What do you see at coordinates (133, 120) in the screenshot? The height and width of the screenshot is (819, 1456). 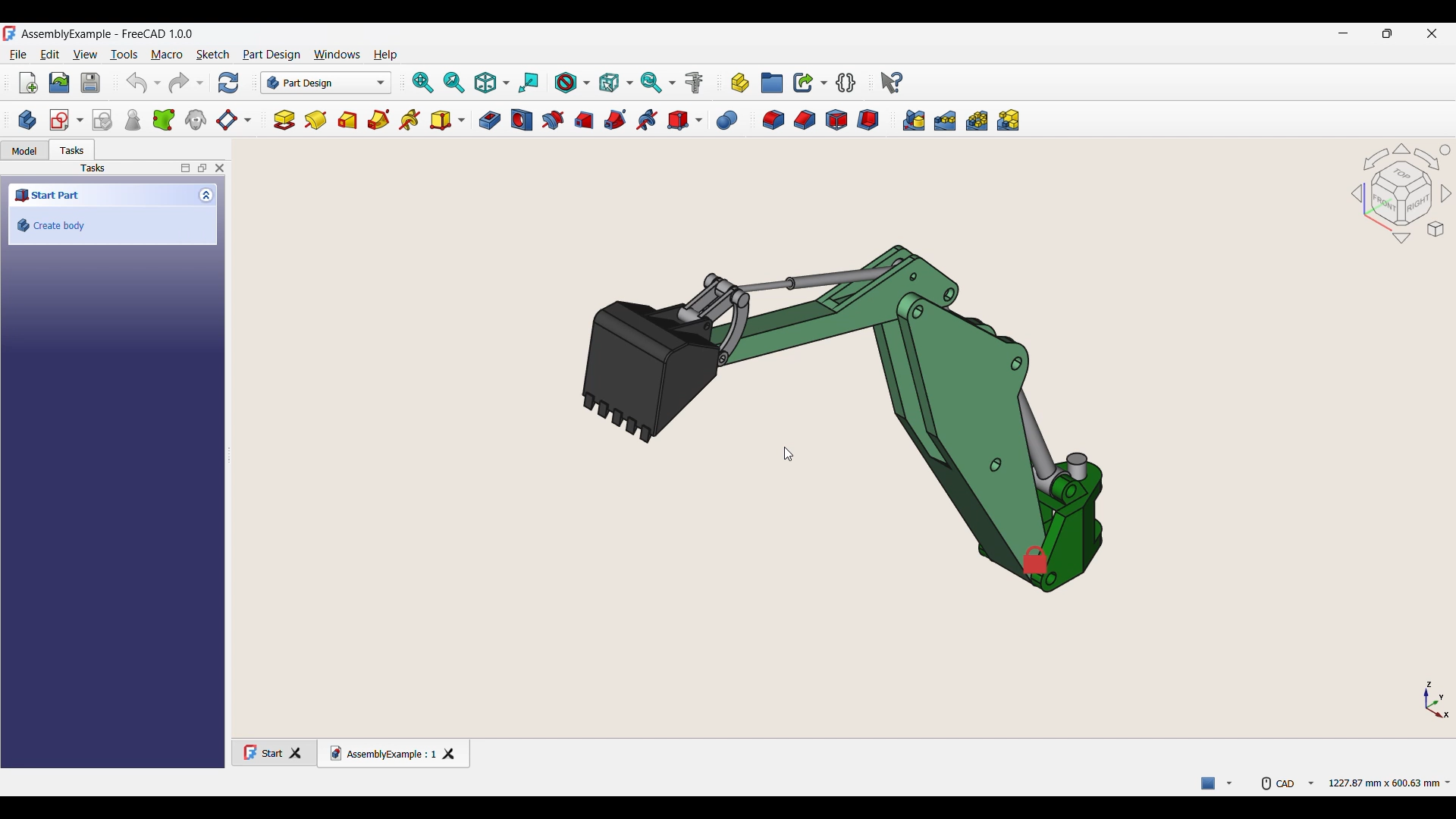 I see `Check geometry` at bounding box center [133, 120].